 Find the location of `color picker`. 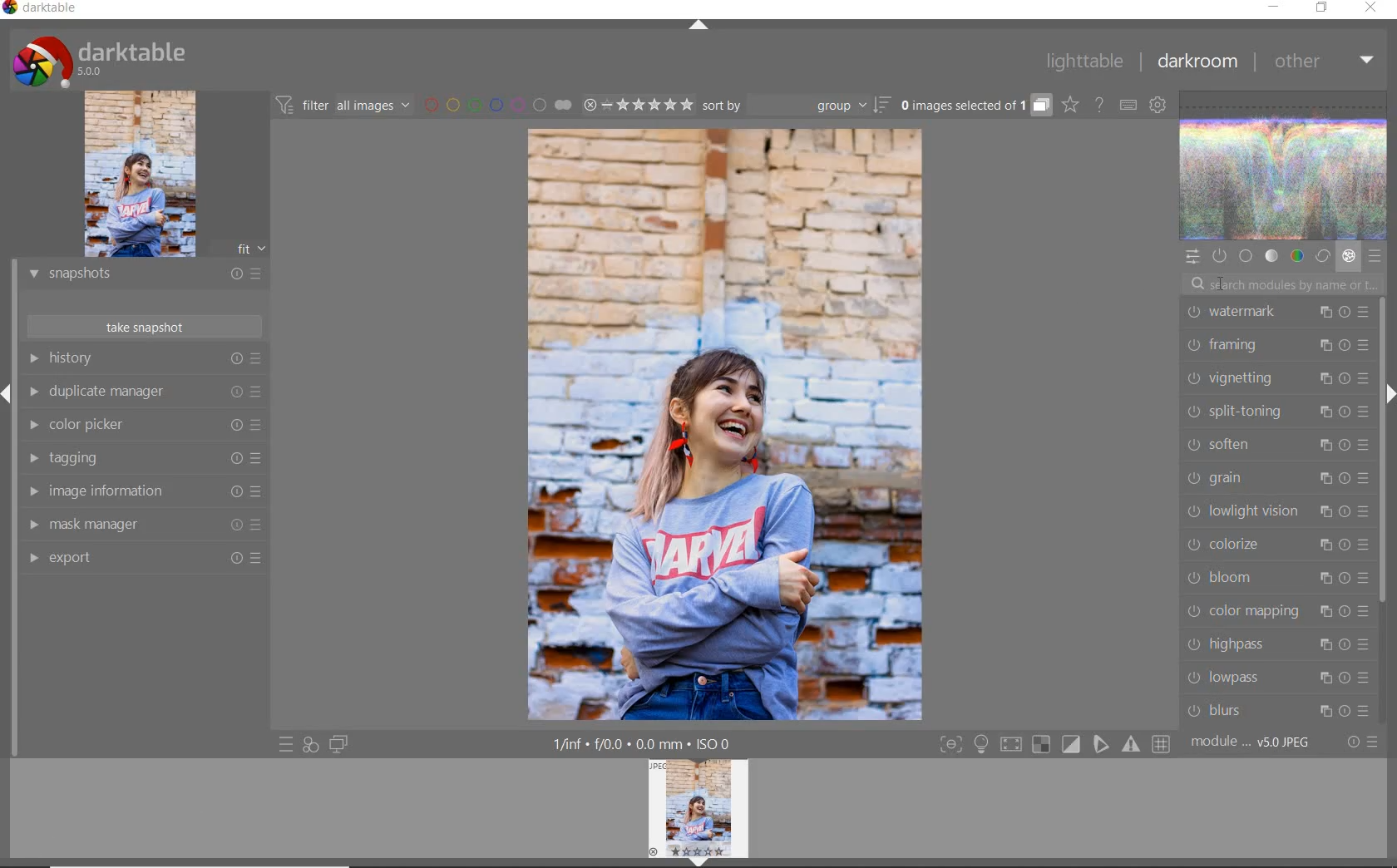

color picker is located at coordinates (141, 427).